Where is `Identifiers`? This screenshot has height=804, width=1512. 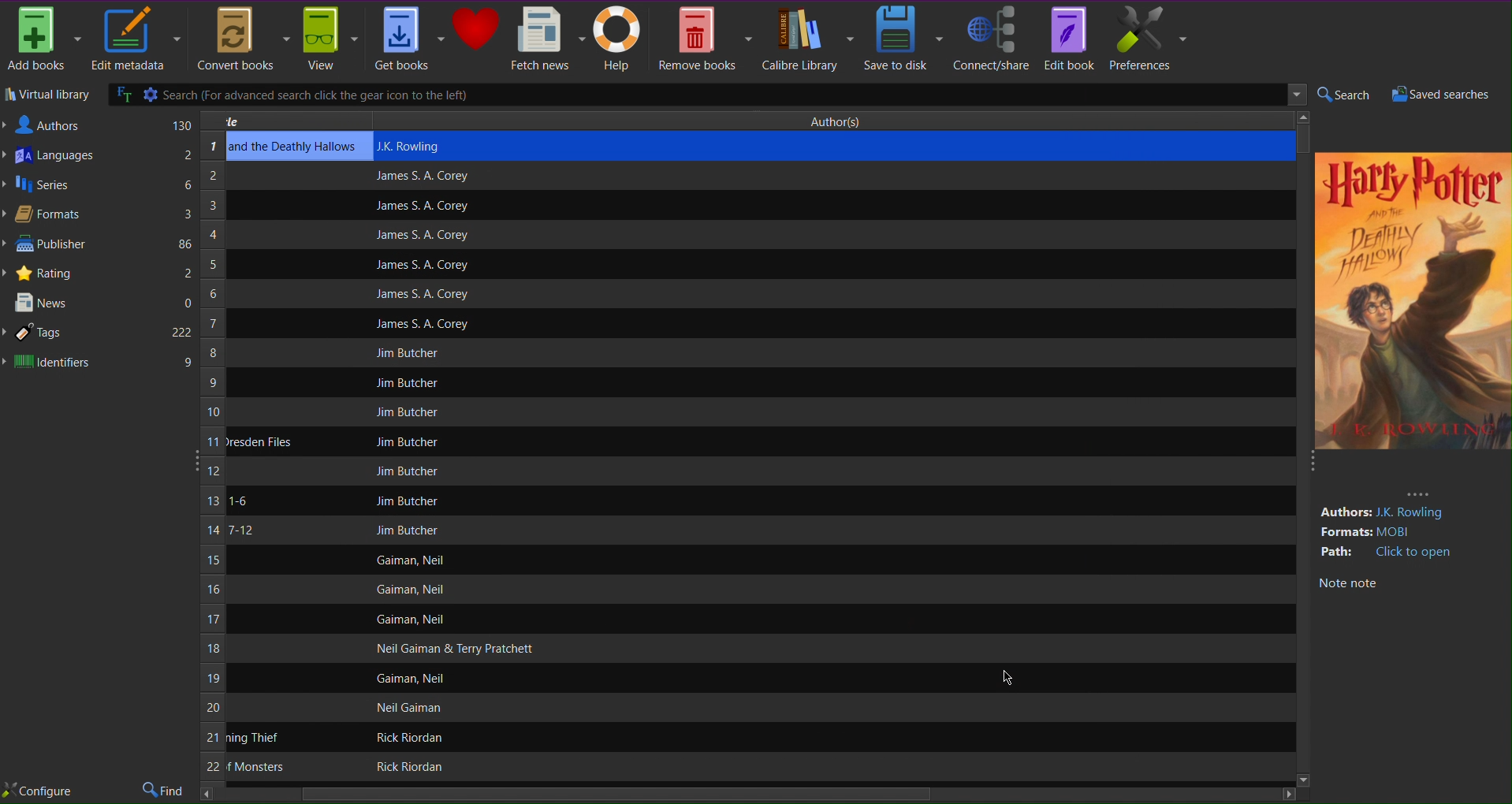 Identifiers is located at coordinates (100, 362).